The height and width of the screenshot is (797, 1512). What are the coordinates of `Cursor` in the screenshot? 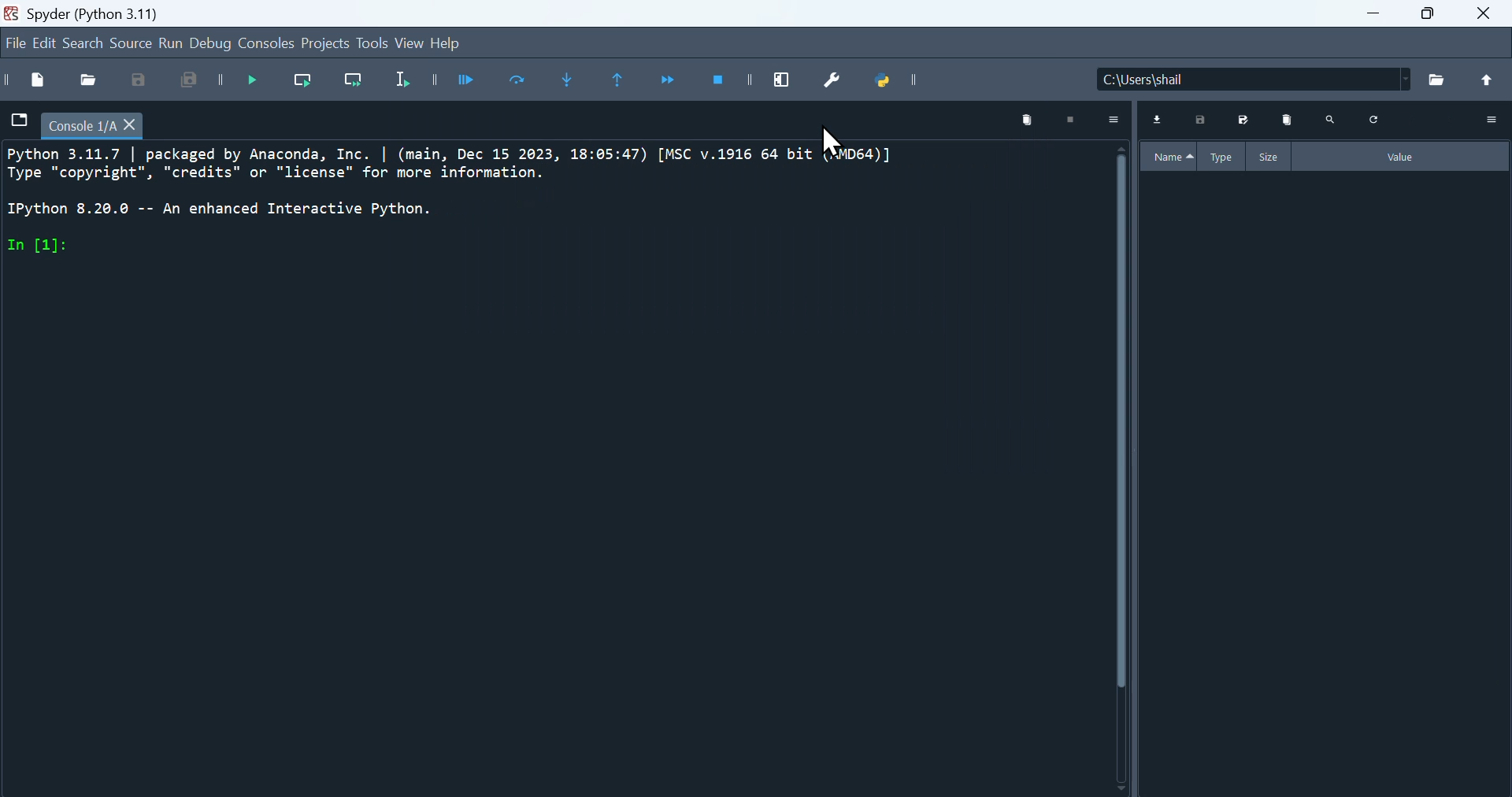 It's located at (840, 154).